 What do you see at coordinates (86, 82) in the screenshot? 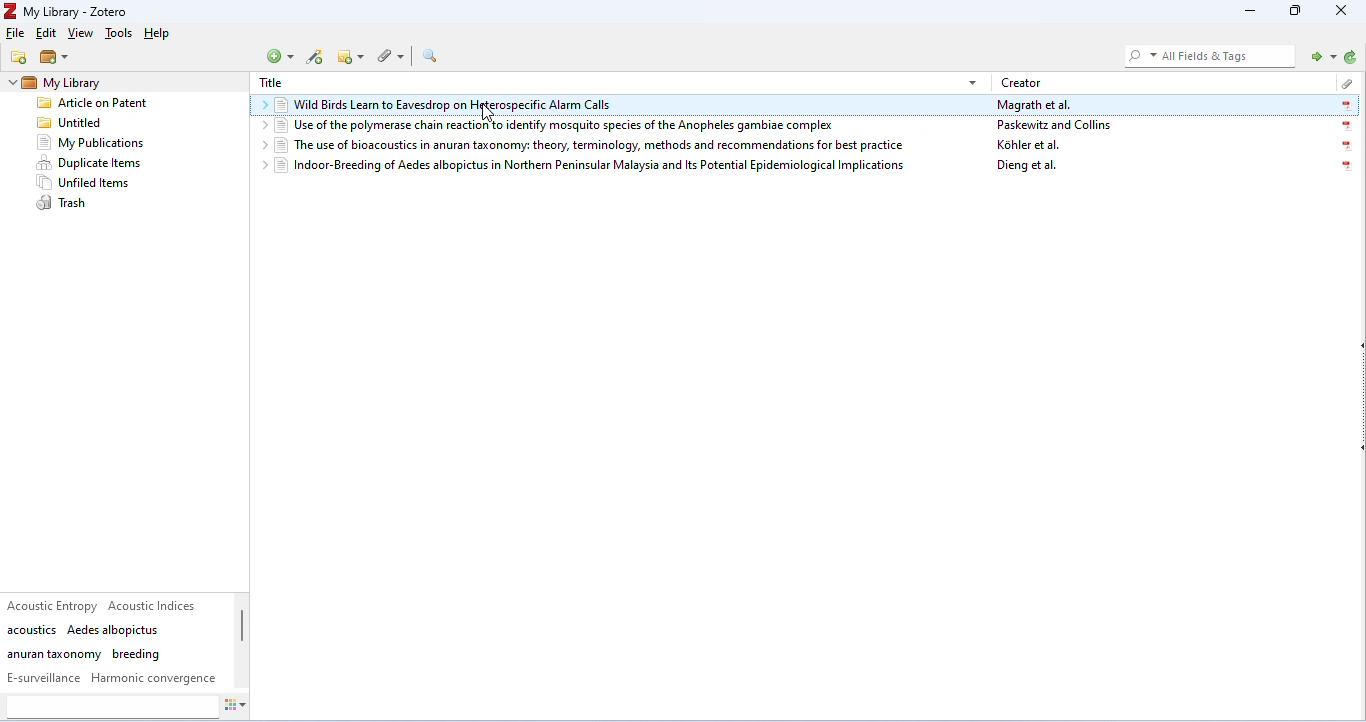
I see `my library` at bounding box center [86, 82].